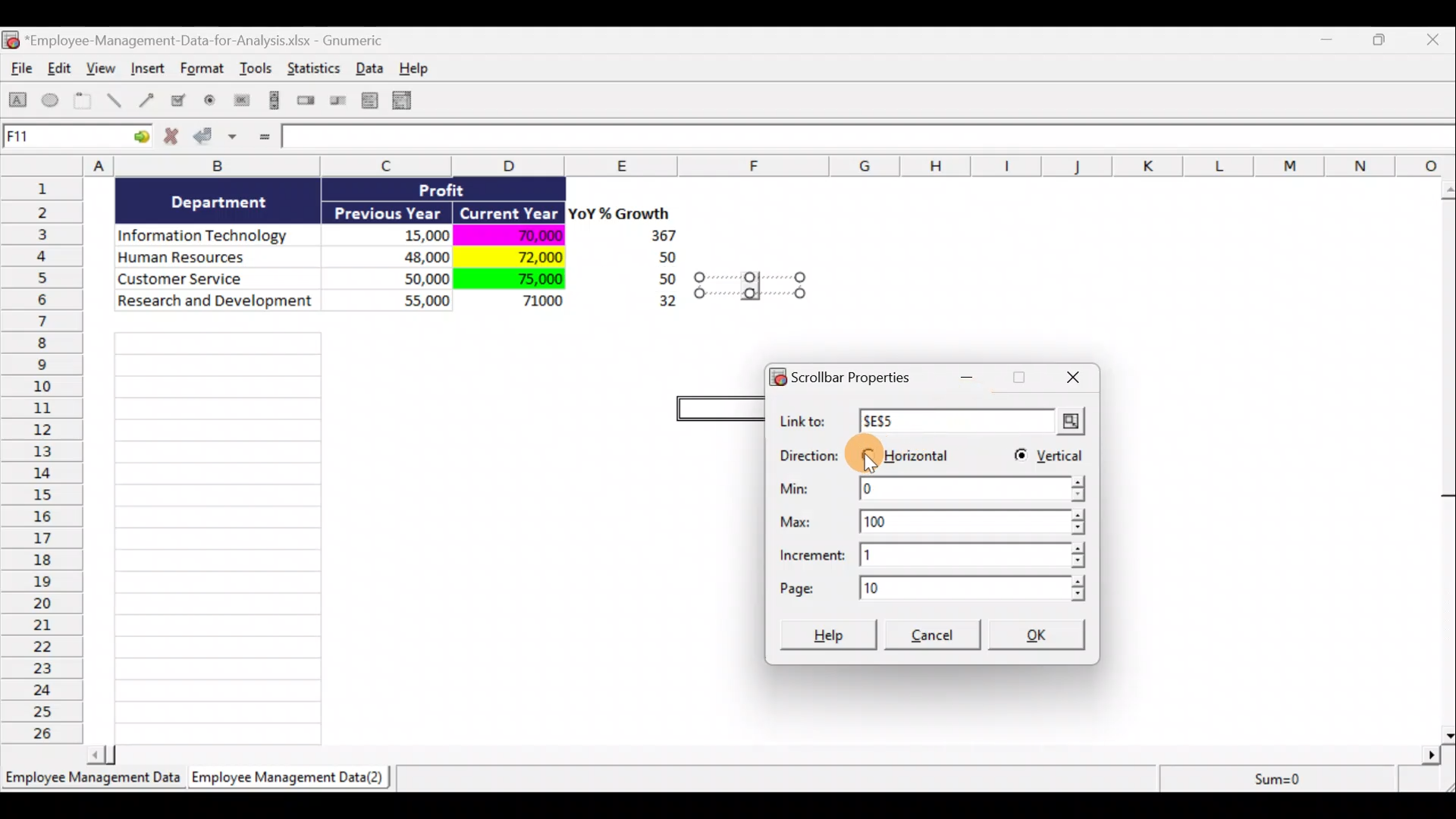 This screenshot has width=1456, height=819. Describe the element at coordinates (1041, 636) in the screenshot. I see `OK` at that location.